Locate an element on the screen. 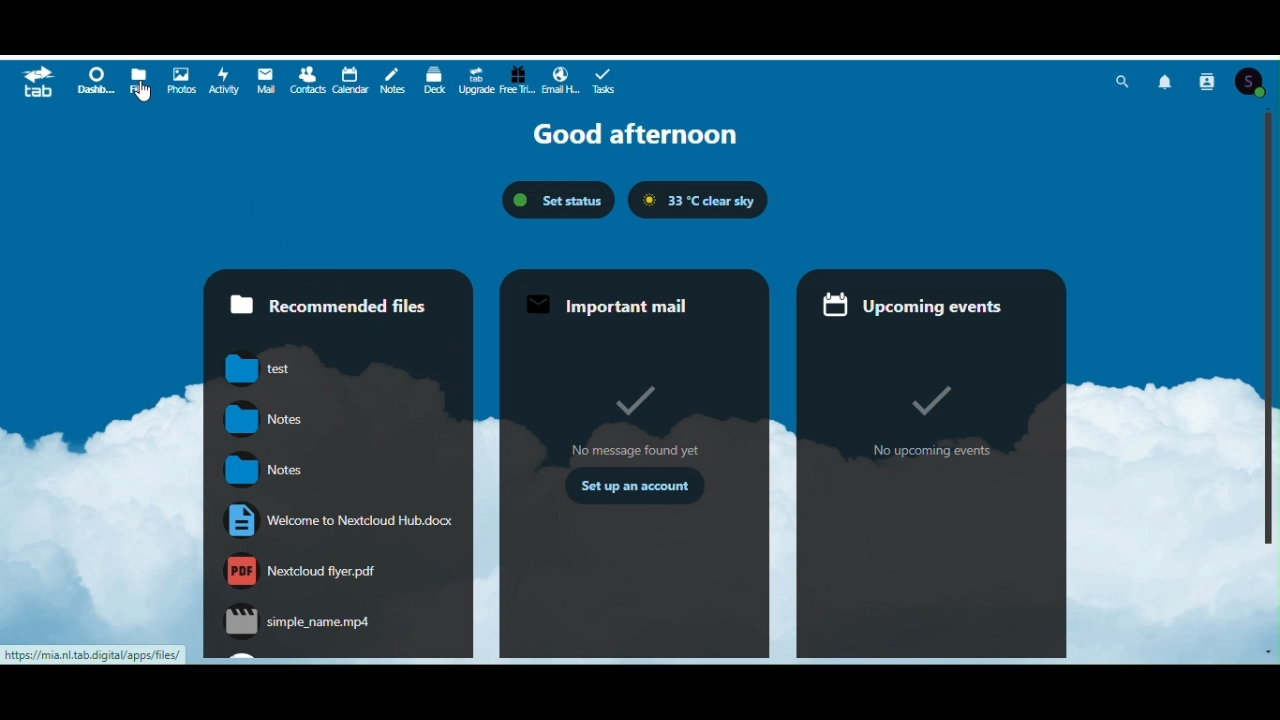  nextcloud flyer.pdf is located at coordinates (303, 570).